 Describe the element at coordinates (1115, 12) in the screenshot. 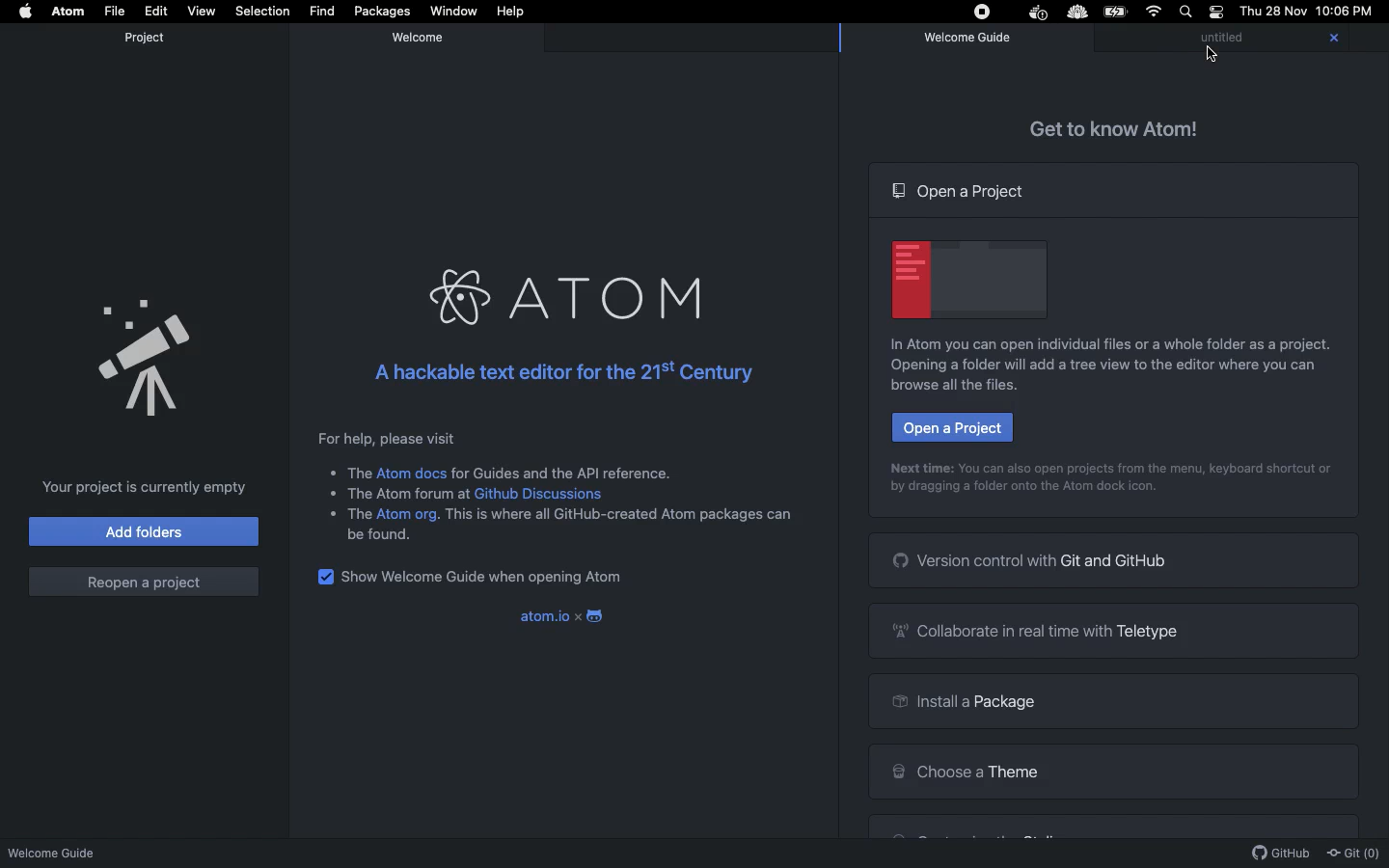

I see `Charge` at that location.